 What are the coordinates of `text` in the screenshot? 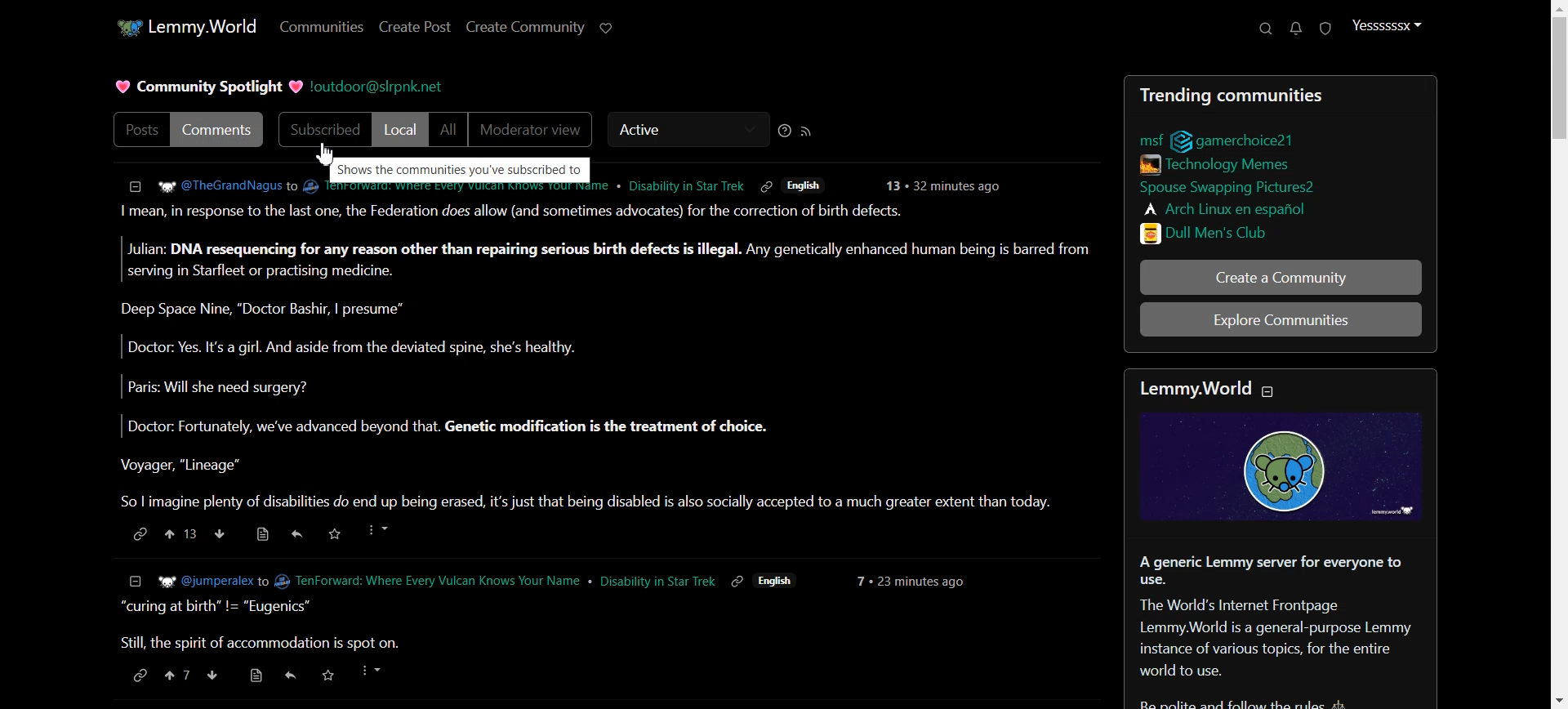 It's located at (458, 167).